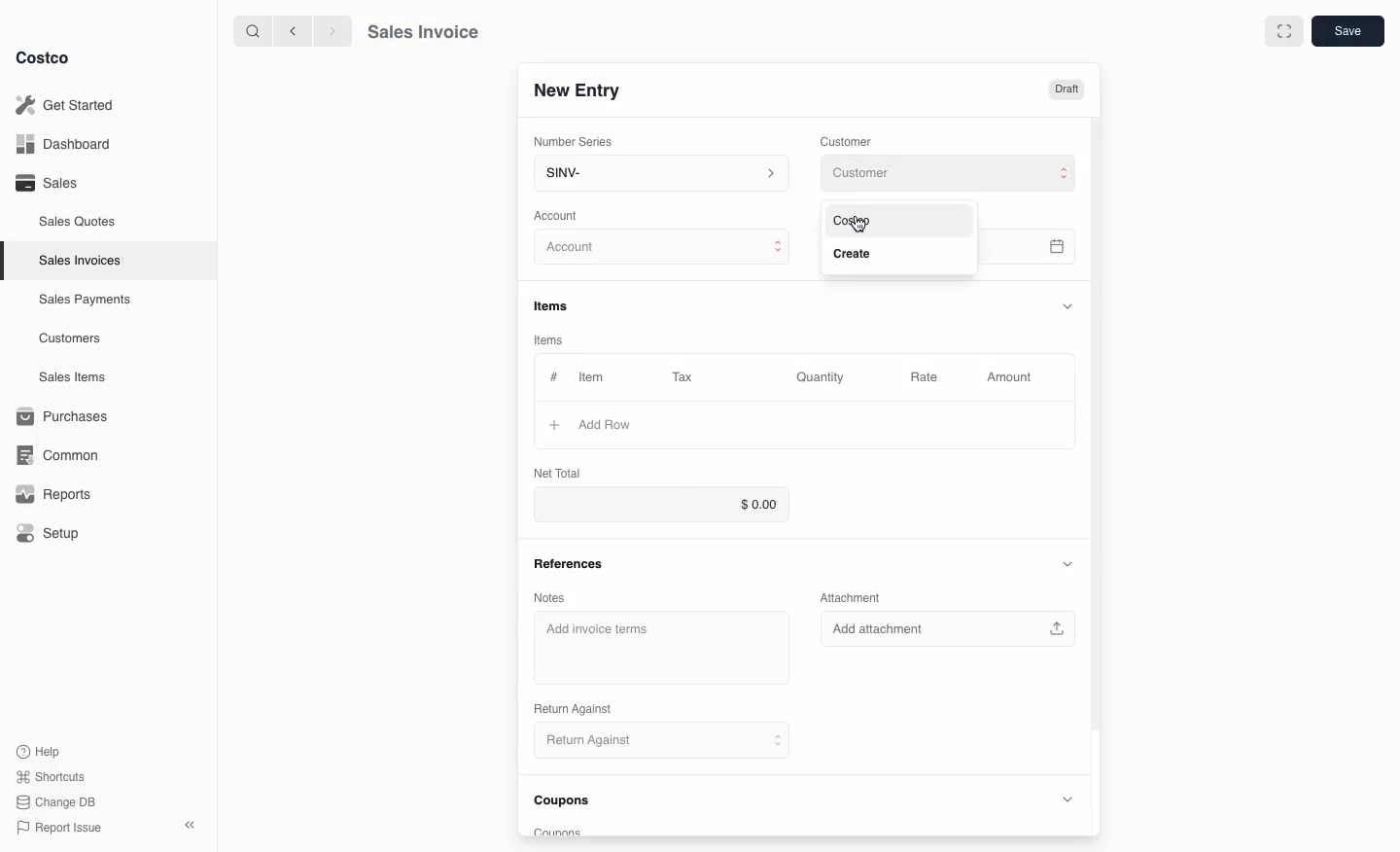  What do you see at coordinates (593, 376) in the screenshot?
I see `Item` at bounding box center [593, 376].